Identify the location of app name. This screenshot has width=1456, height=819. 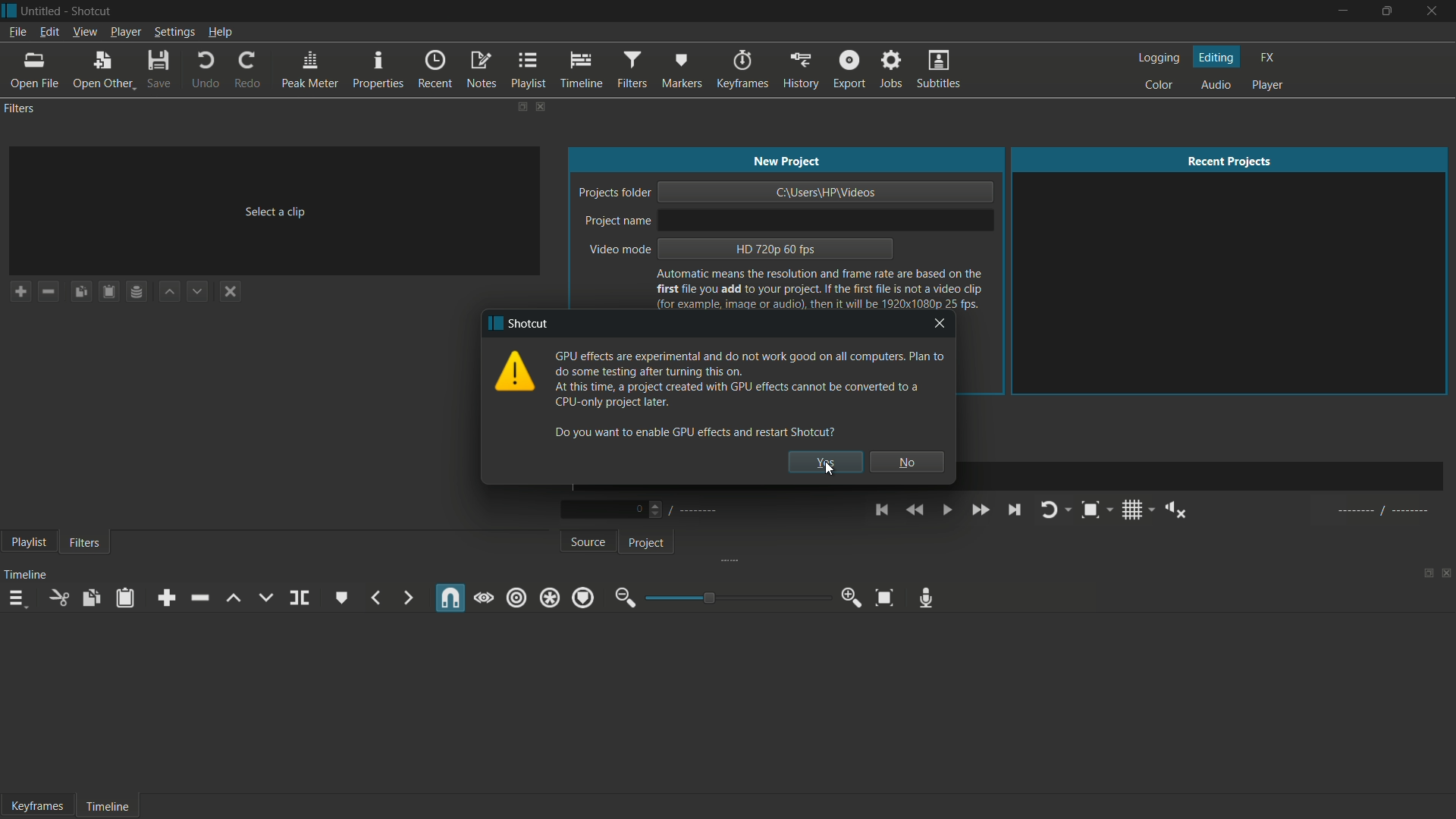
(530, 323).